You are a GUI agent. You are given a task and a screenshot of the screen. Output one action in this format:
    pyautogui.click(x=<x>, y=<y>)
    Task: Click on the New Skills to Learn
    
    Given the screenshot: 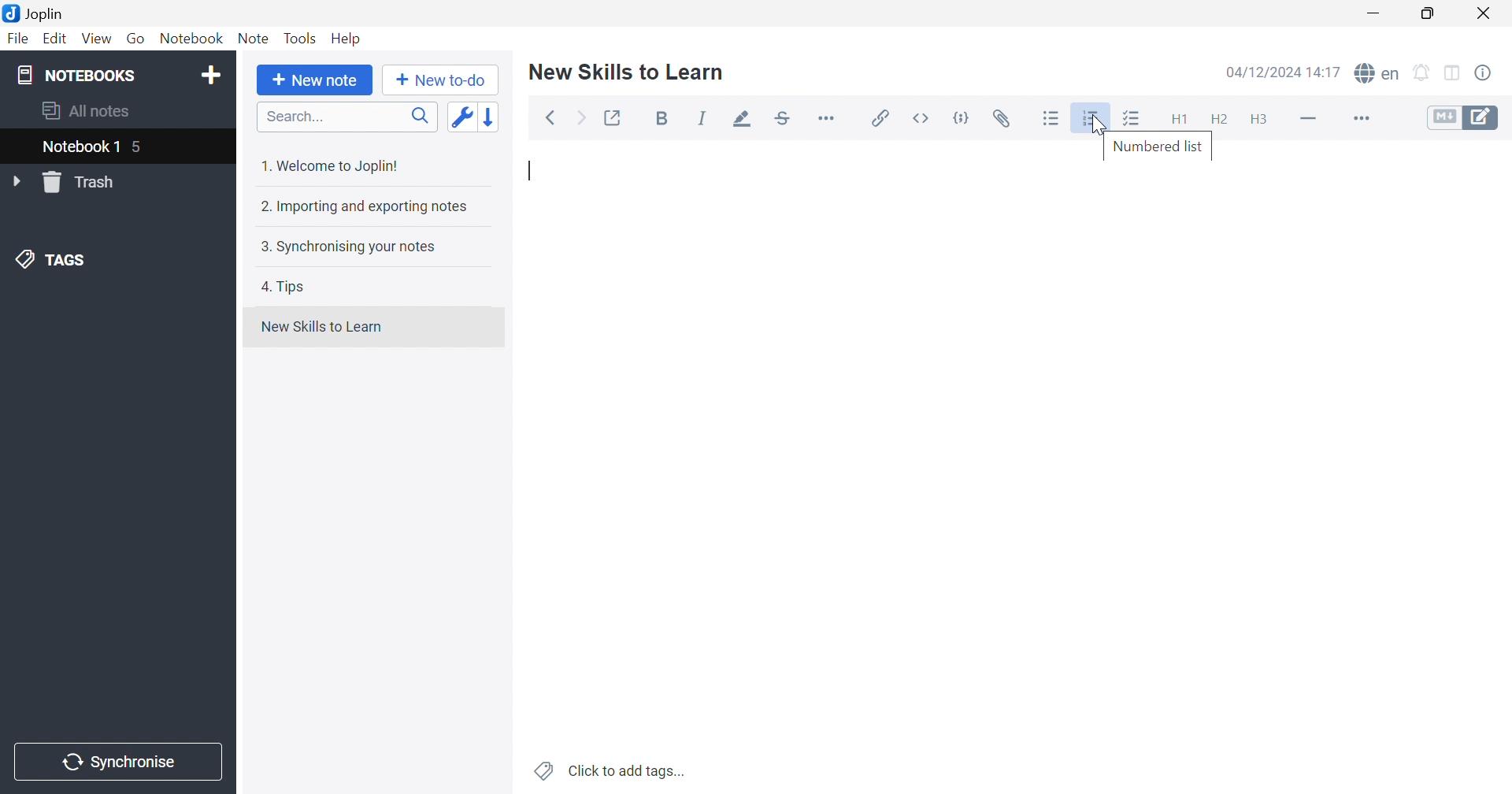 What is the action you would take?
    pyautogui.click(x=627, y=71)
    